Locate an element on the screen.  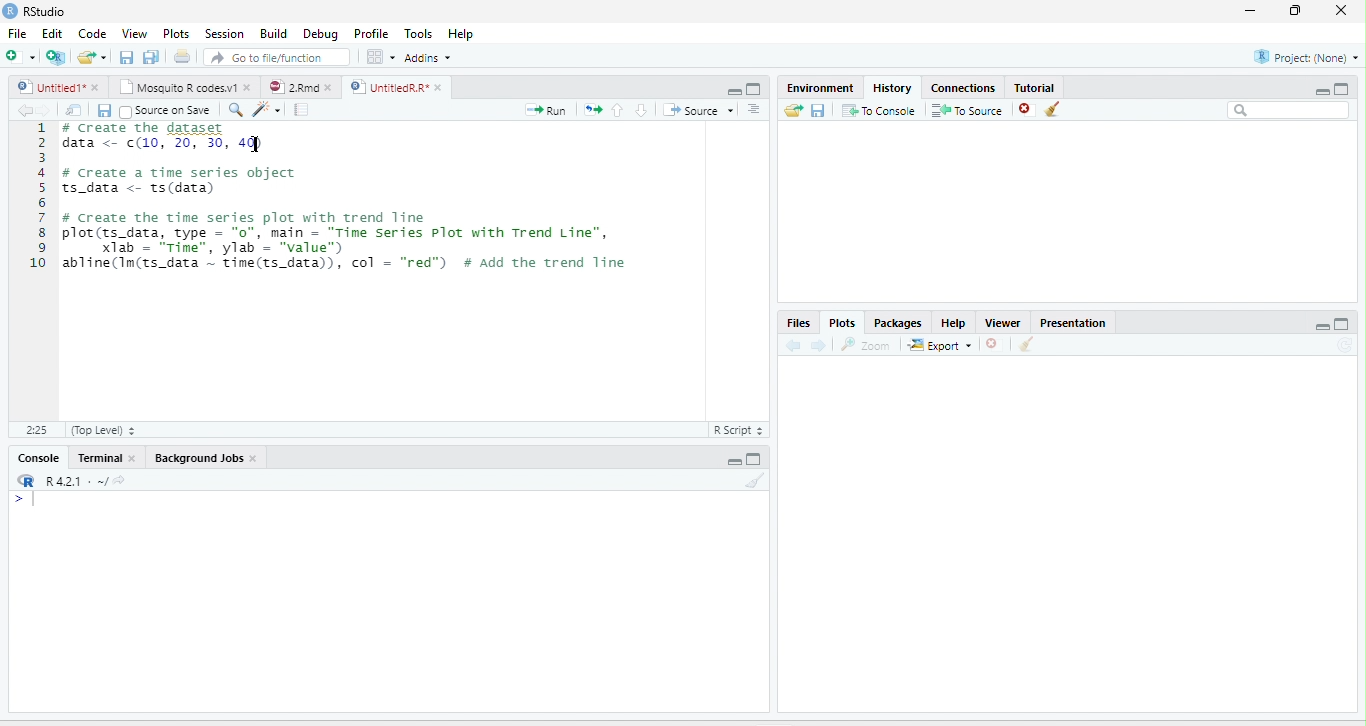
Console is located at coordinates (39, 458).